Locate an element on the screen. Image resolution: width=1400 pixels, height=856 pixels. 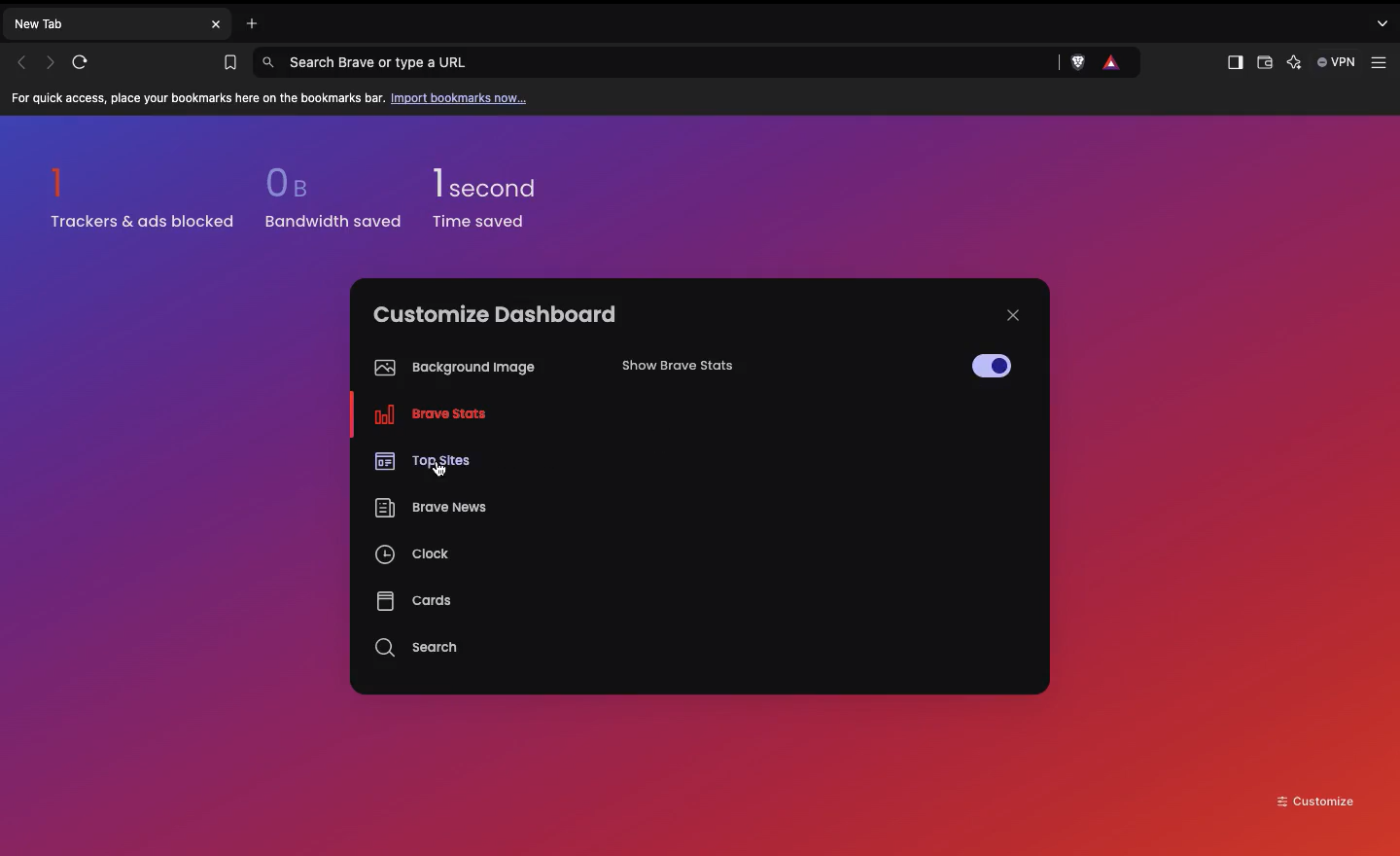
Next page is located at coordinates (52, 61).